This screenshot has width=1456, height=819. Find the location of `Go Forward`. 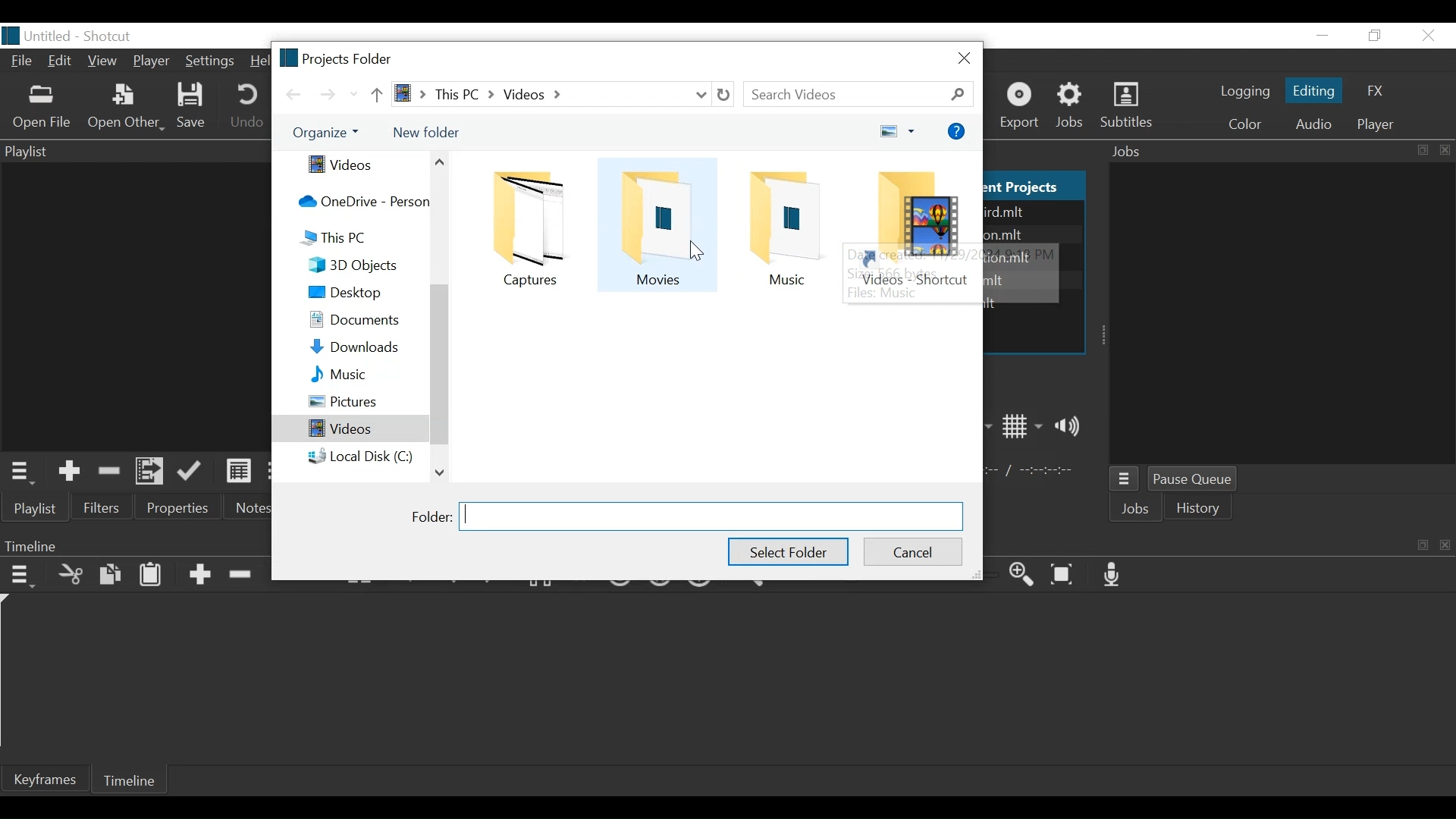

Go Forward is located at coordinates (325, 95).